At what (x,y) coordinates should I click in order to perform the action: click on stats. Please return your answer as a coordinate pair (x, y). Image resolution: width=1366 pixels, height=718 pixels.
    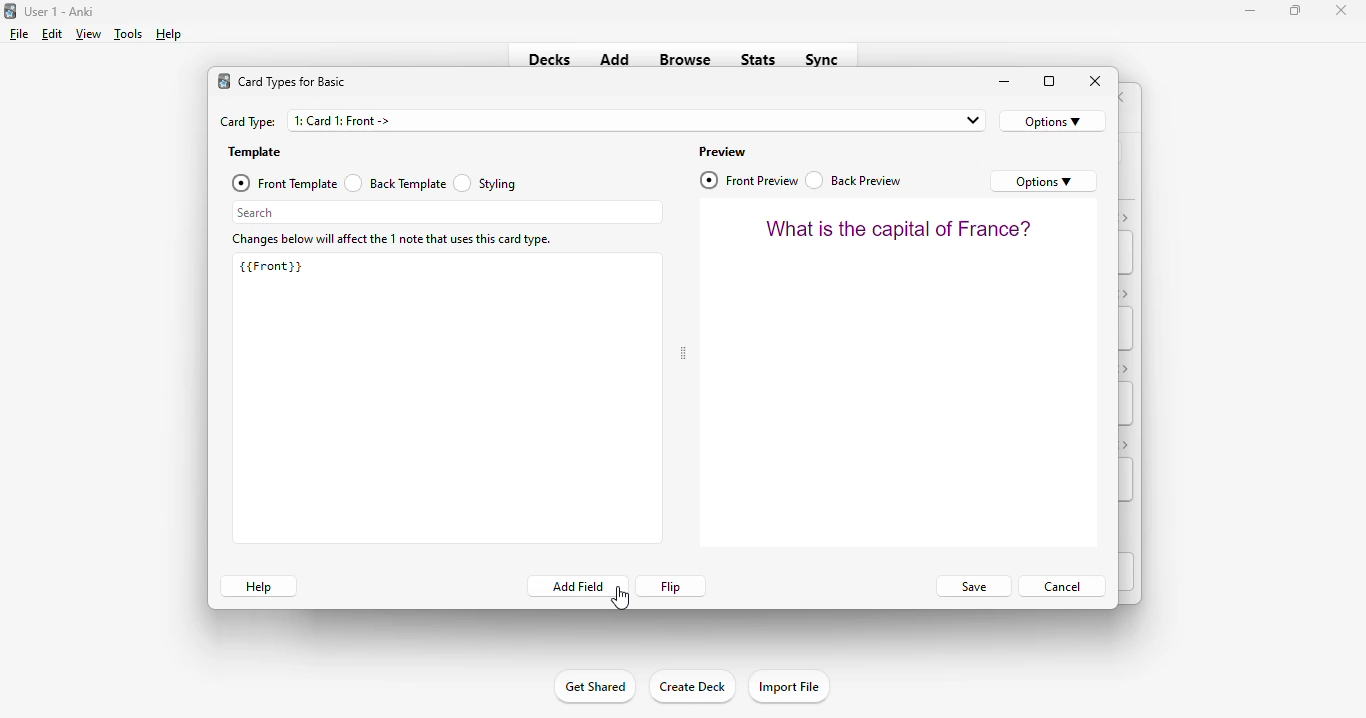
    Looking at the image, I should click on (759, 59).